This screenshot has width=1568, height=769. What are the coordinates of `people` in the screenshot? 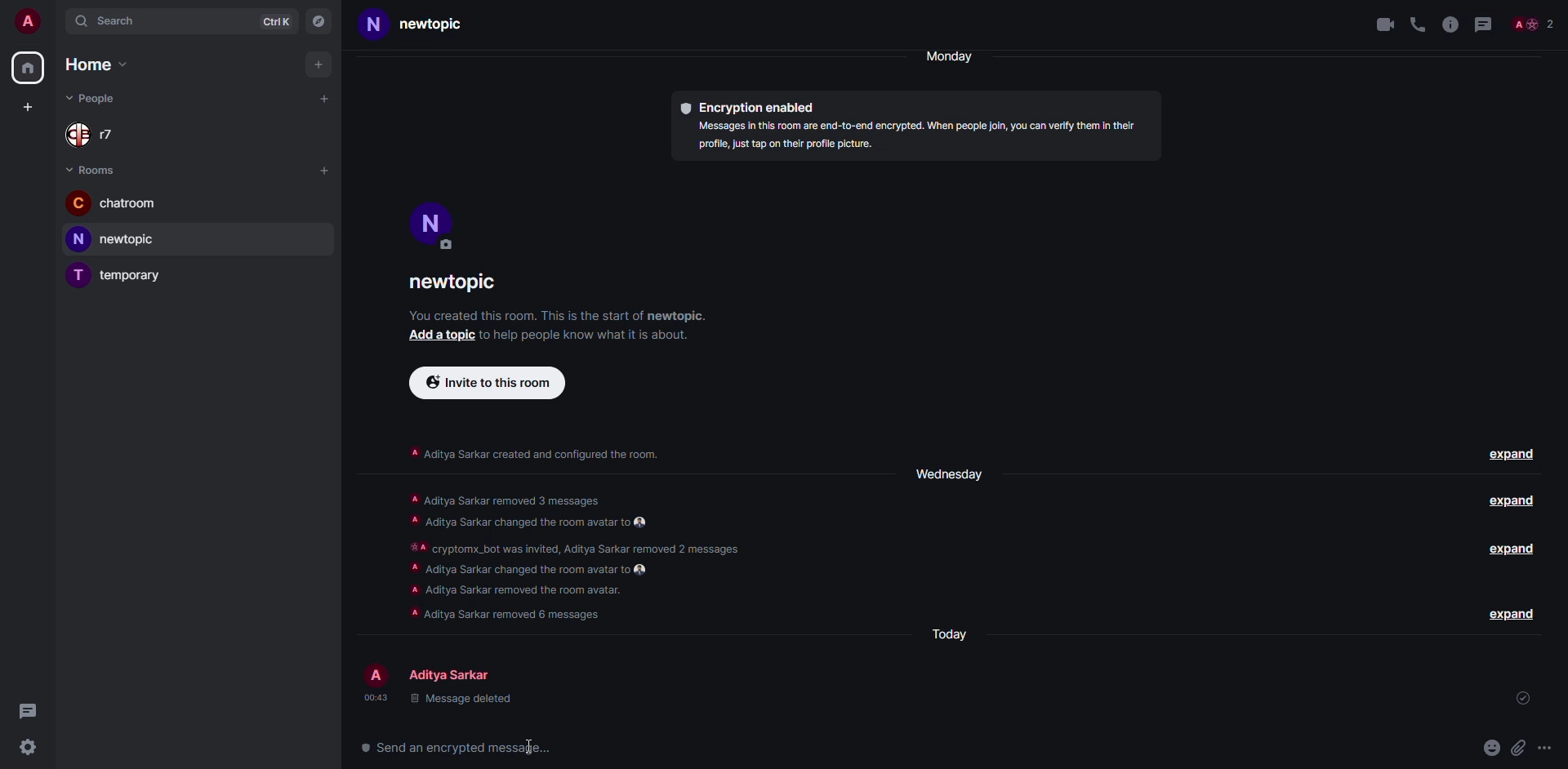 It's located at (96, 96).